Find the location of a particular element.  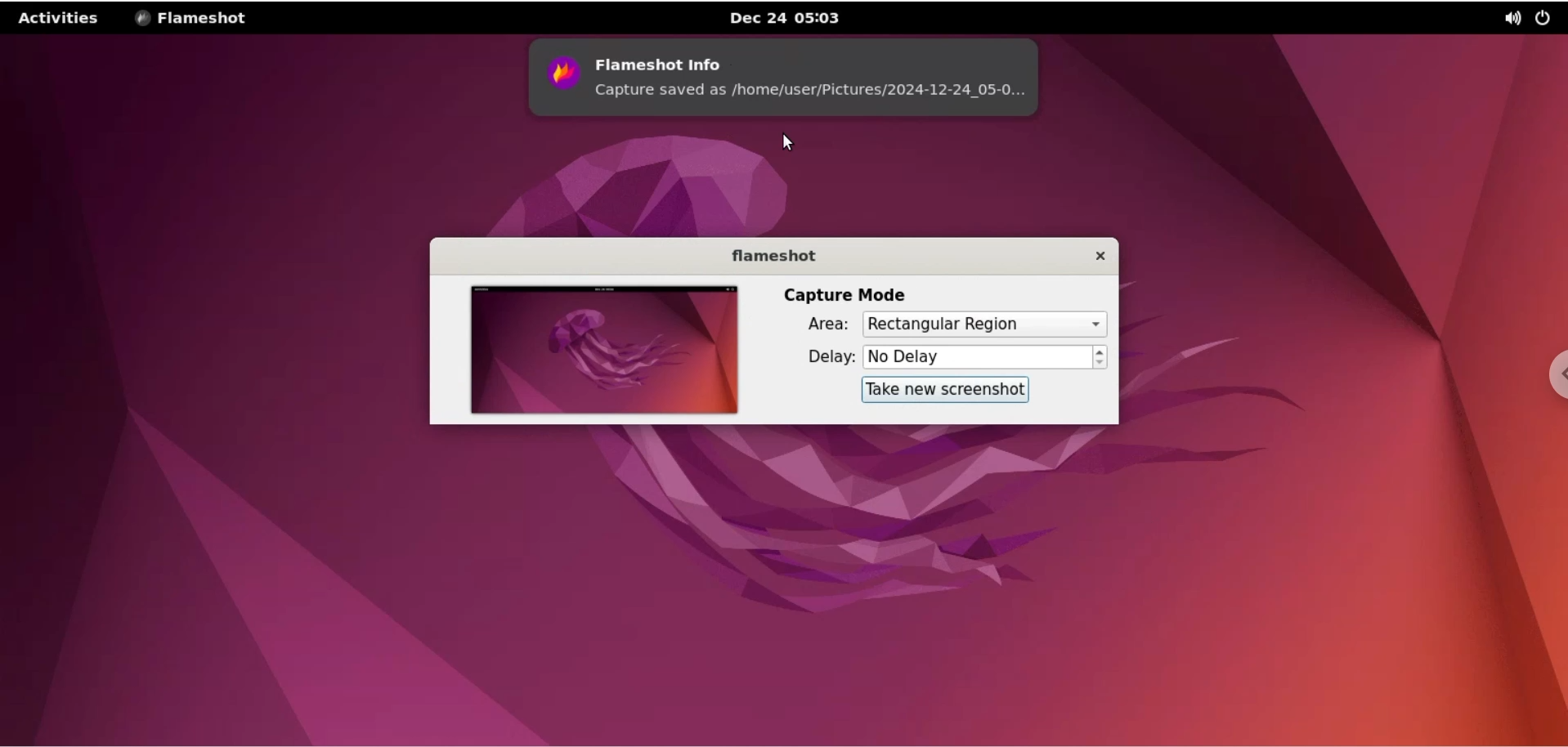

Dec 24 05:03 is located at coordinates (792, 18).